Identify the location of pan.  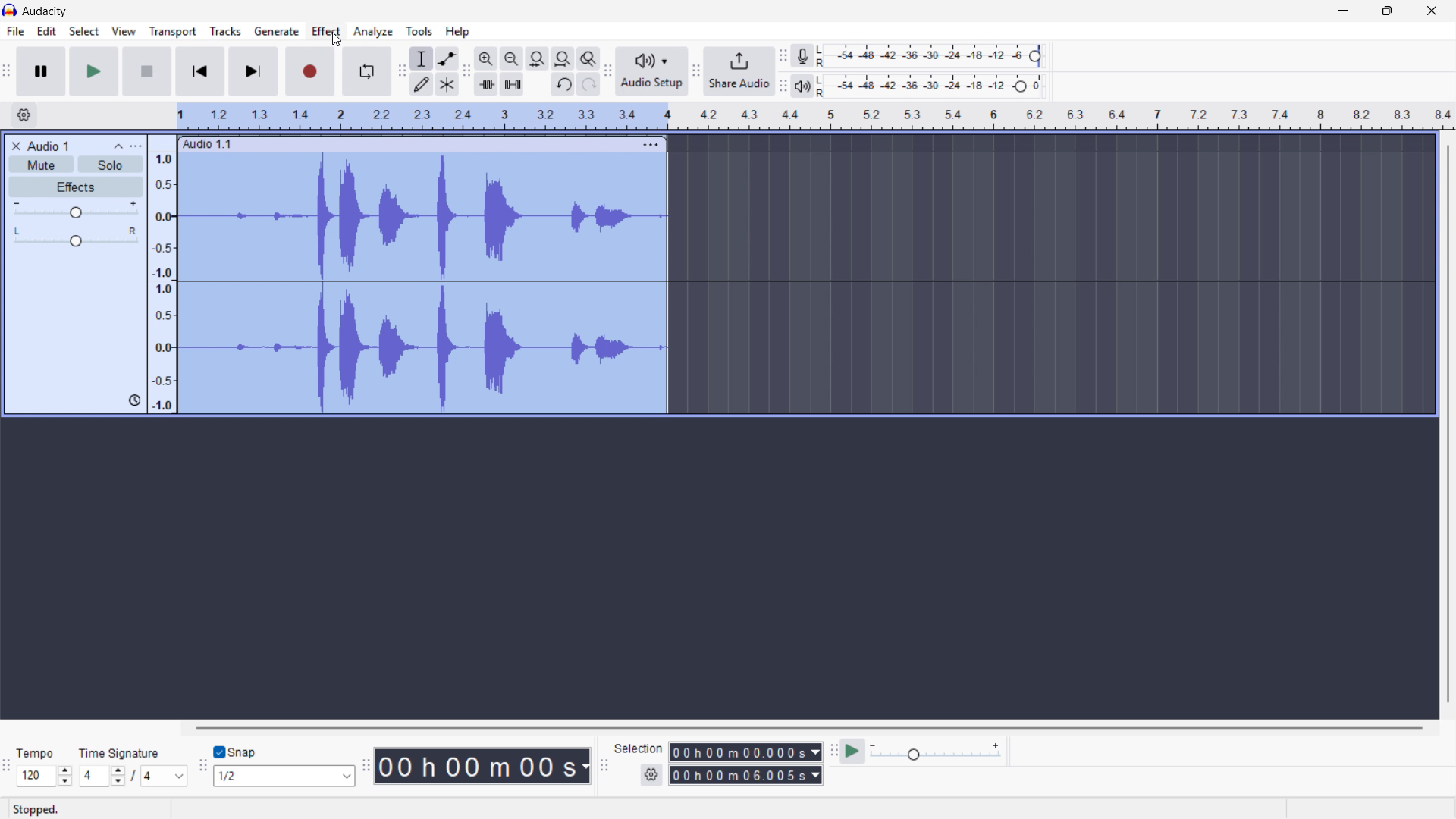
(75, 237).